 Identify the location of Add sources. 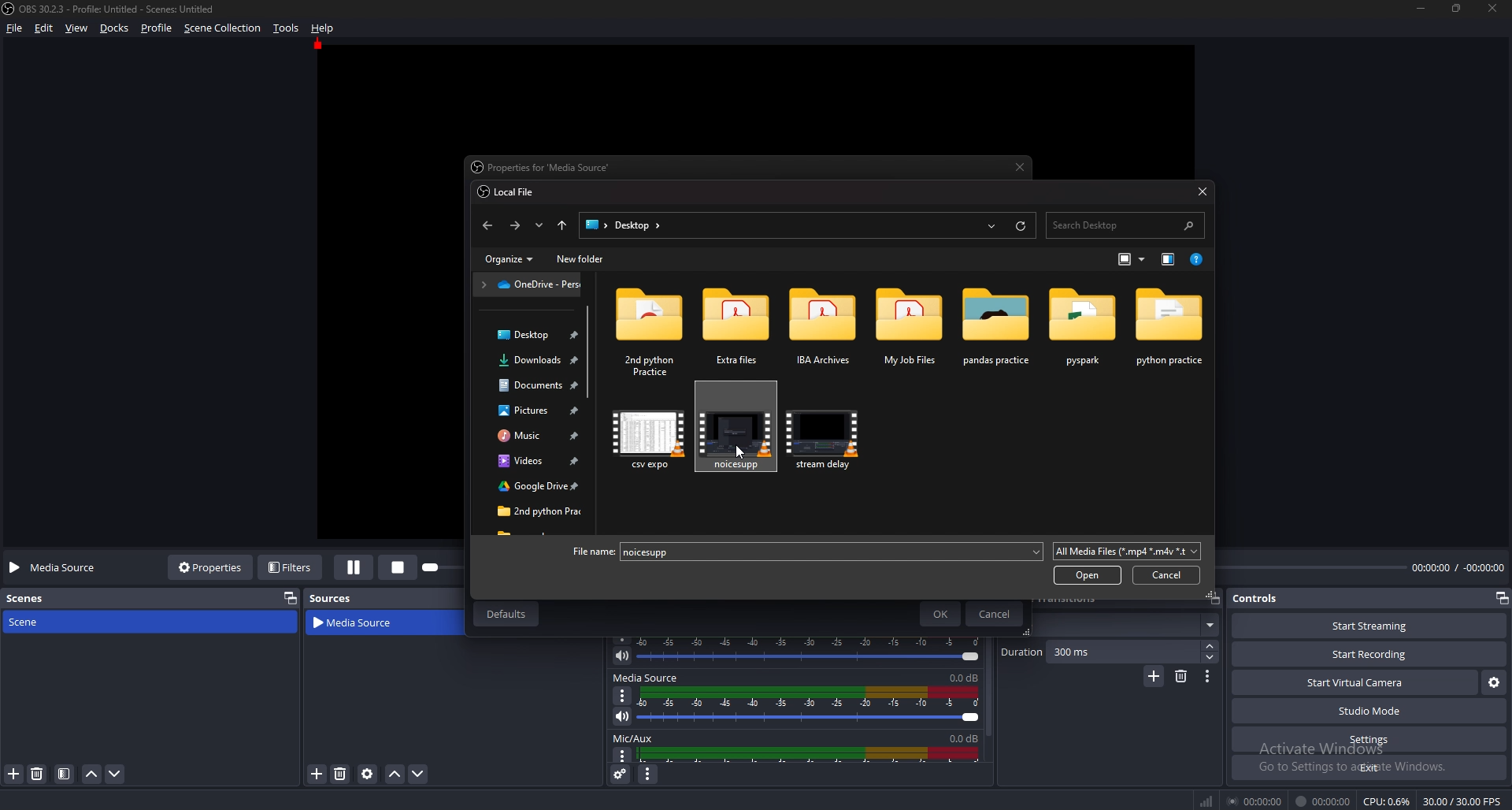
(315, 773).